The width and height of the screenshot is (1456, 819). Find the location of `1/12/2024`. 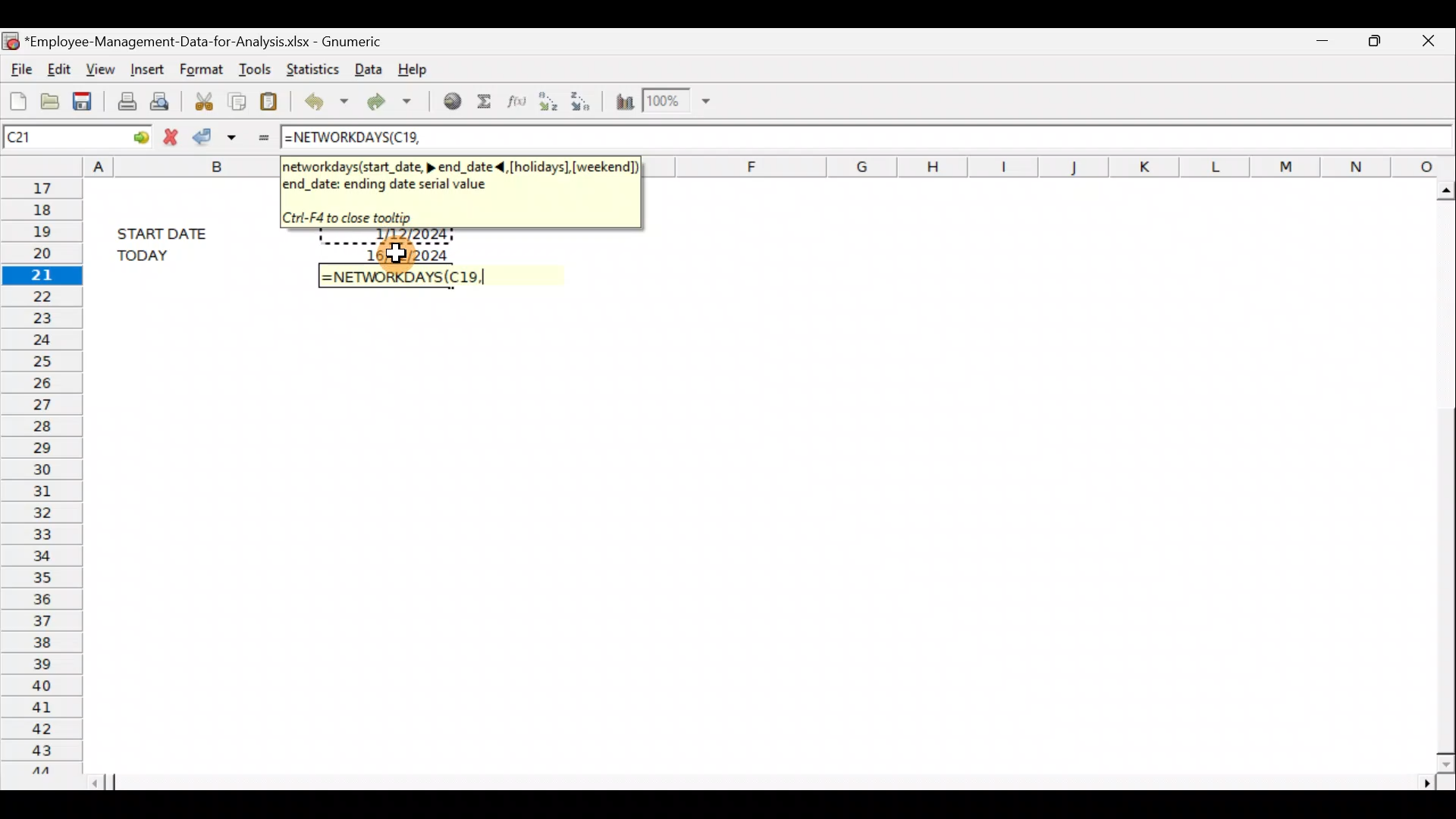

1/12/2024 is located at coordinates (409, 237).